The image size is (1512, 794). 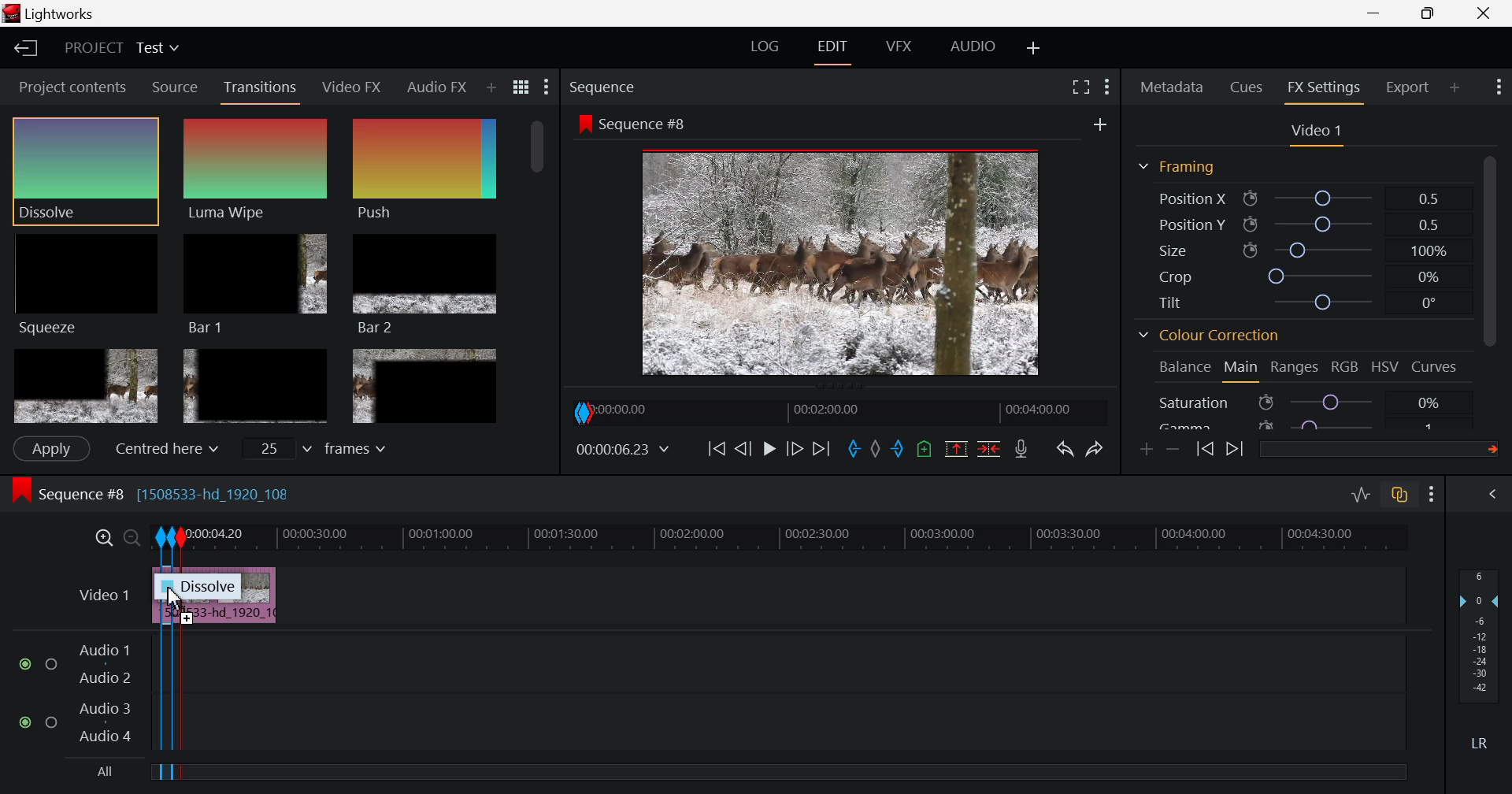 I want to click on Toggle audio levels, so click(x=1361, y=495).